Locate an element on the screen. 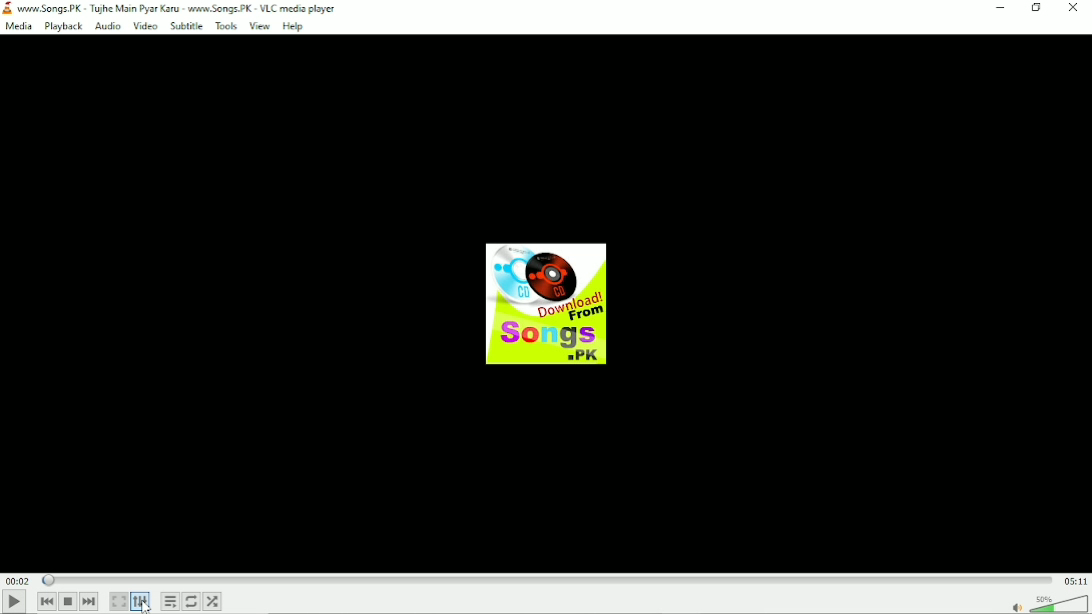 The image size is (1092, 614). Next is located at coordinates (90, 602).